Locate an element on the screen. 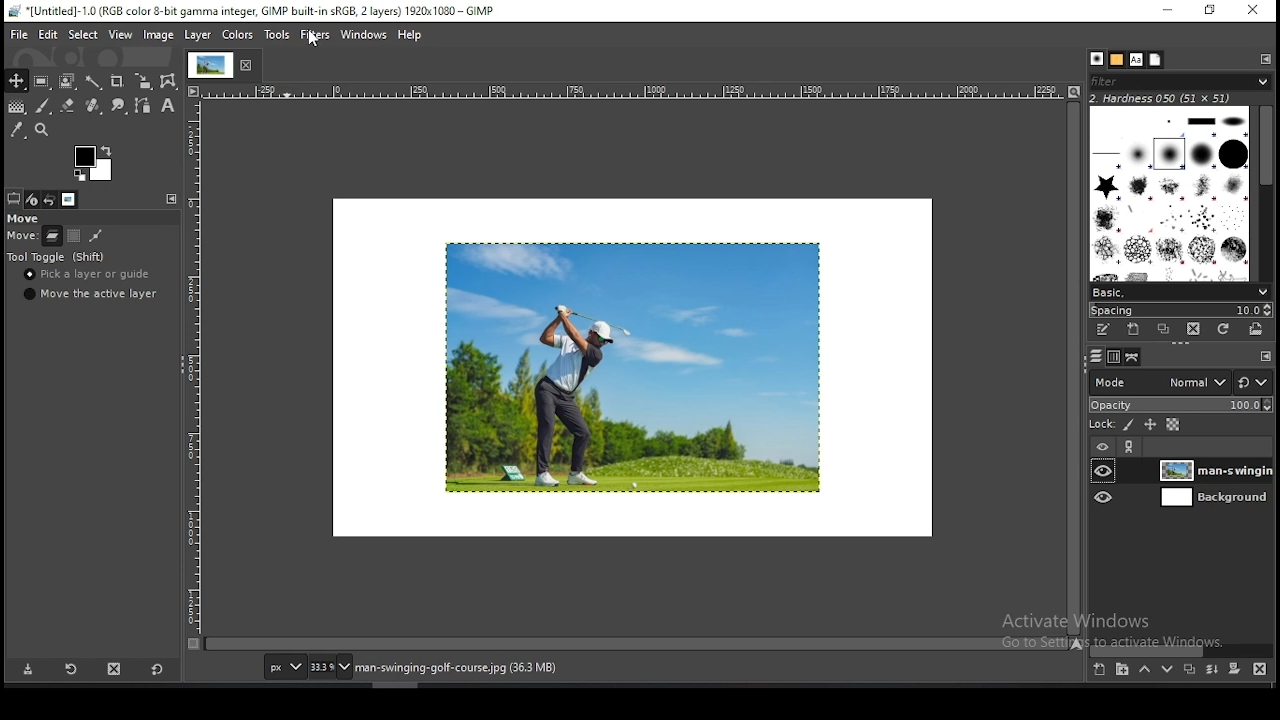 The height and width of the screenshot is (720, 1280). fuzzy selection tool is located at coordinates (93, 83).